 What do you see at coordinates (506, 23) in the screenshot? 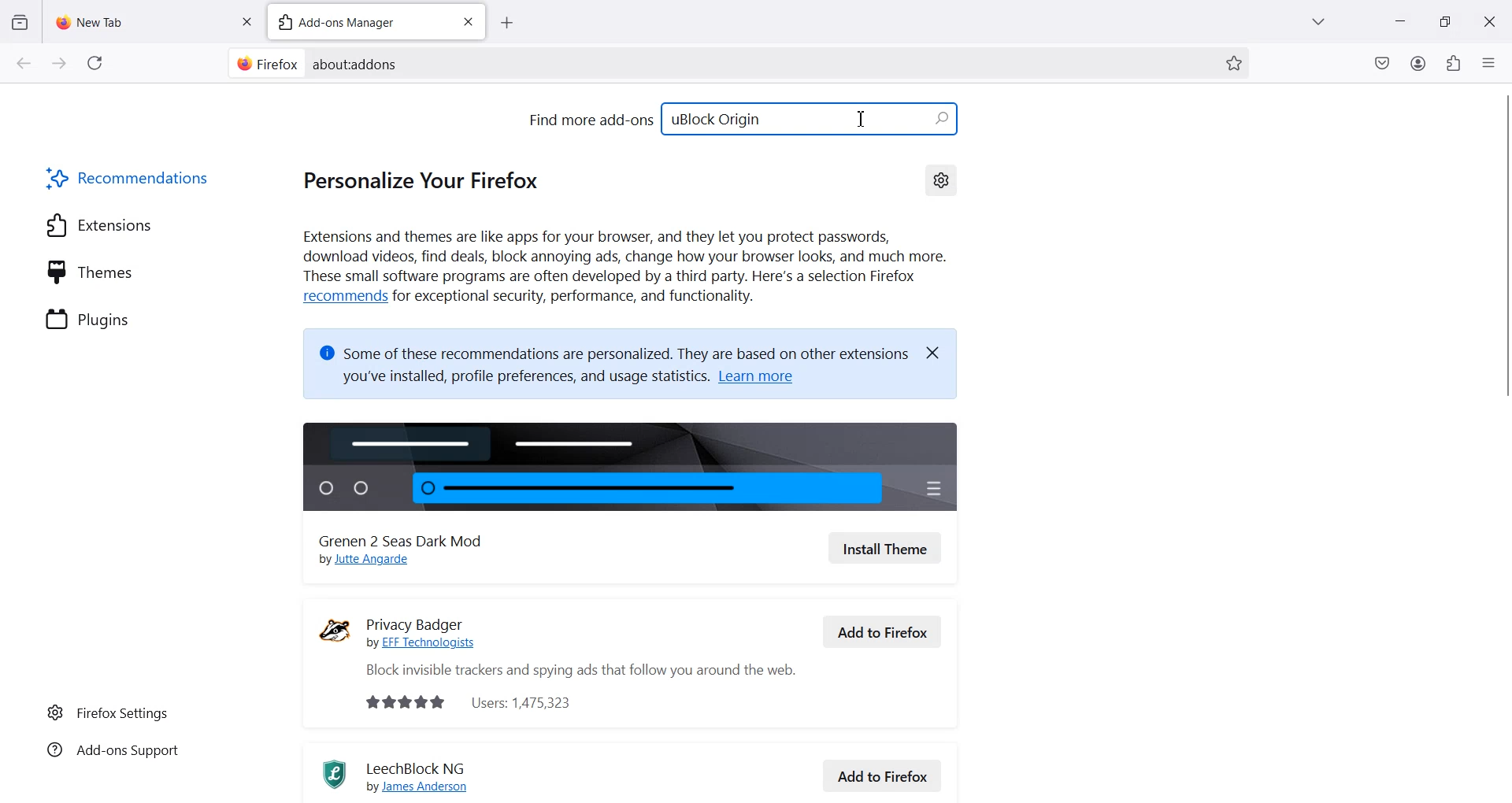
I see `Add new tab` at bounding box center [506, 23].